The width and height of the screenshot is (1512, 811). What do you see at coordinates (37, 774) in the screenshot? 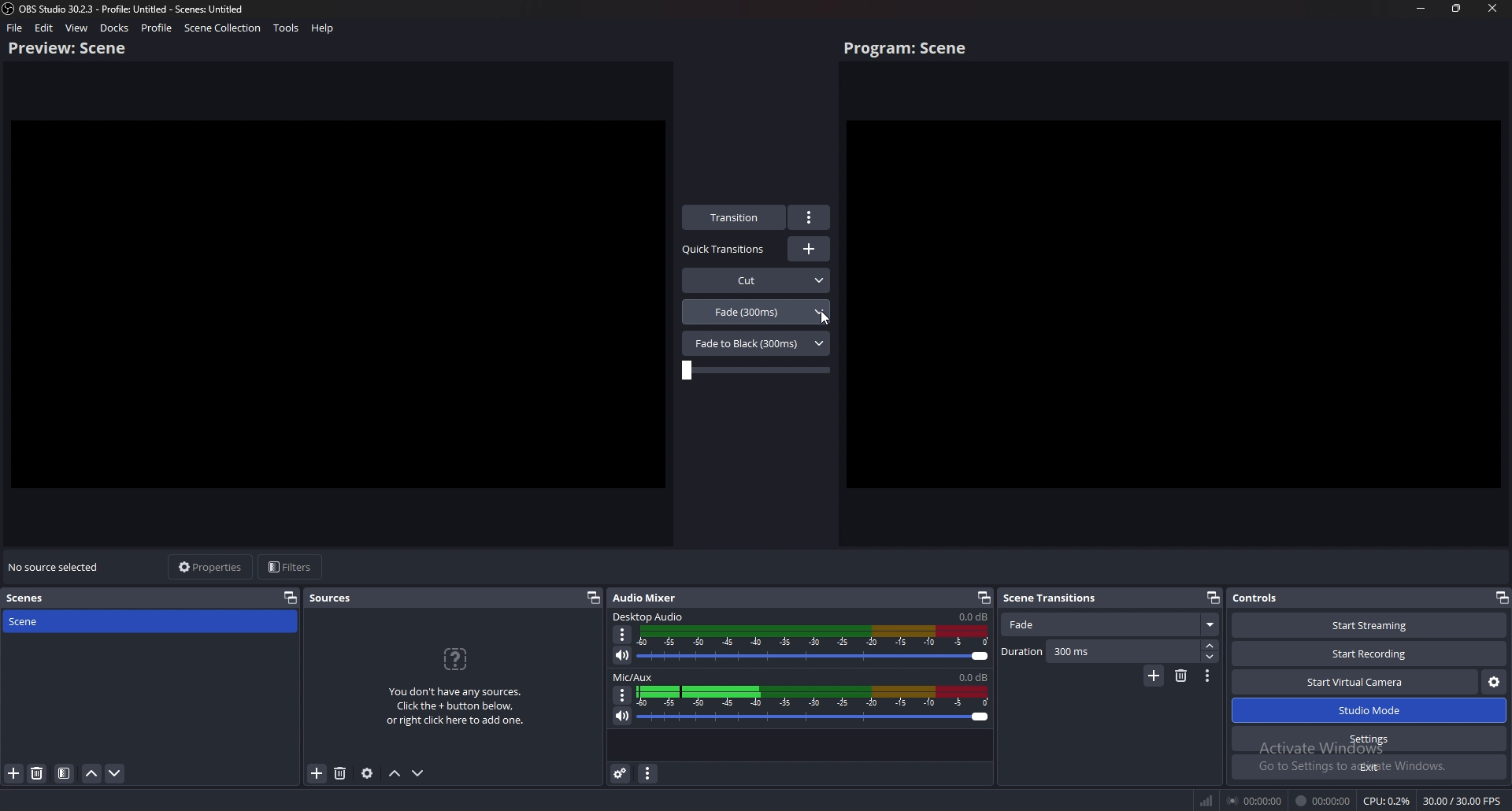
I see `delete source` at bounding box center [37, 774].